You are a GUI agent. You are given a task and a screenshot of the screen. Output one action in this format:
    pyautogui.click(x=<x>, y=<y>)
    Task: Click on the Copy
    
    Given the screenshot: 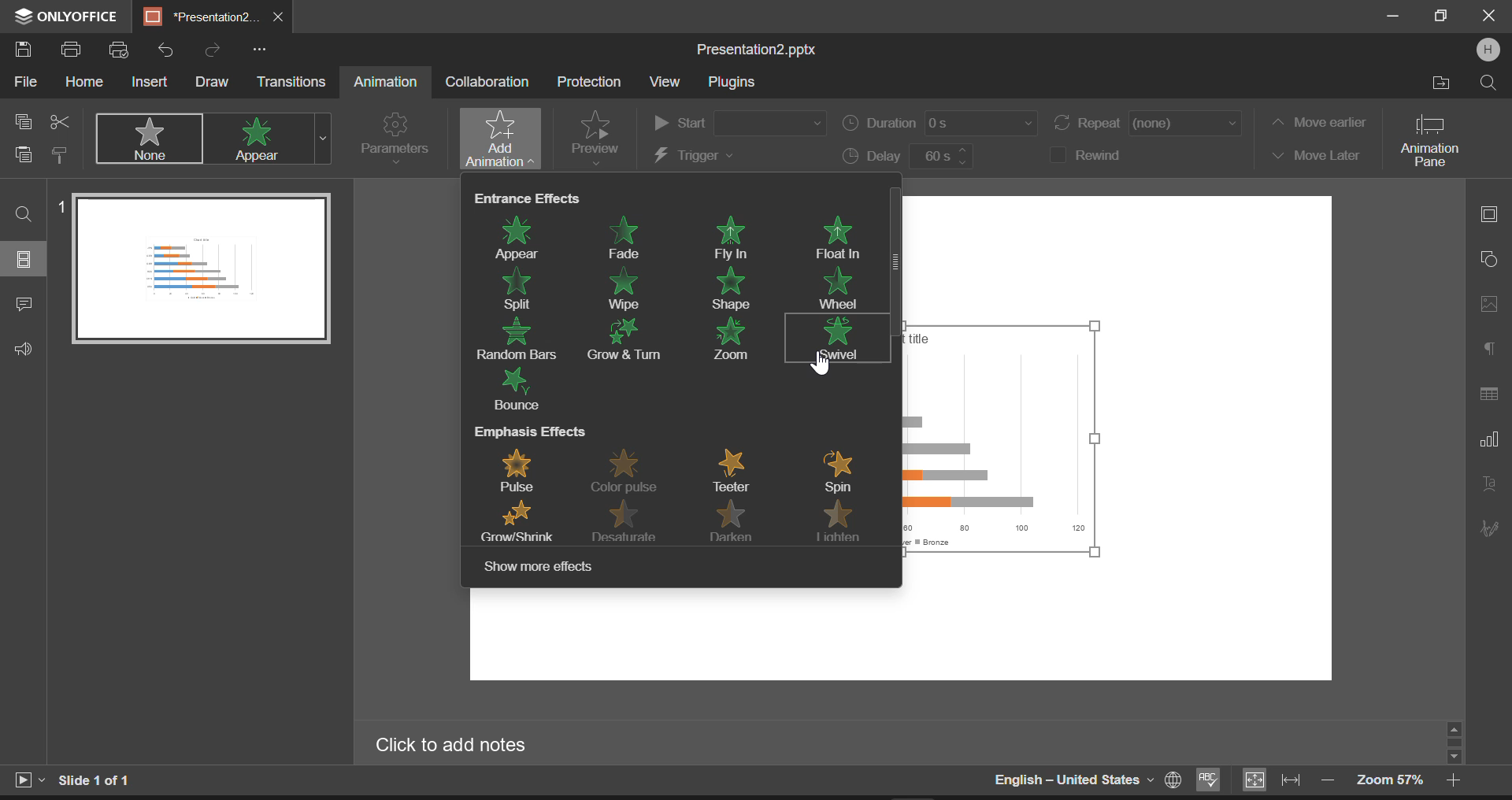 What is the action you would take?
    pyautogui.click(x=24, y=120)
    